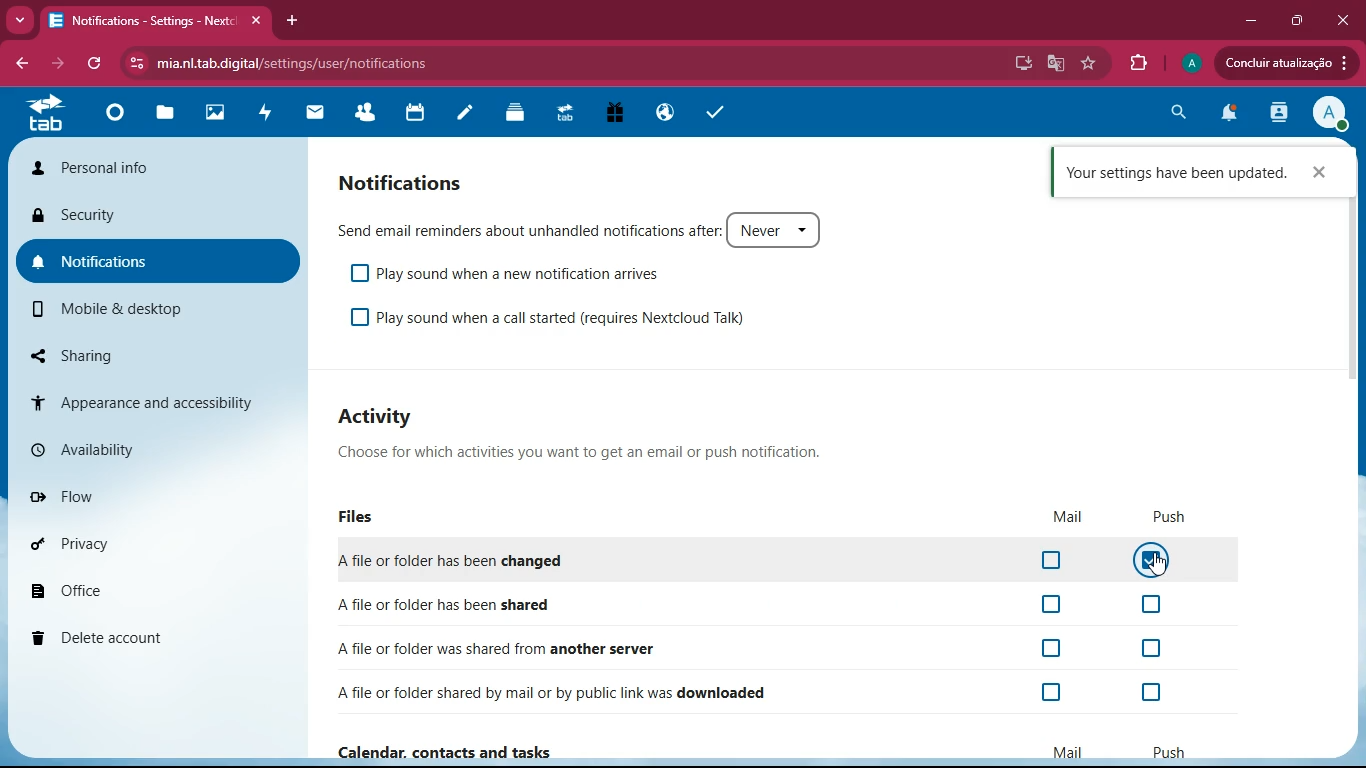 The width and height of the screenshot is (1366, 768). I want to click on sharing, so click(129, 354).